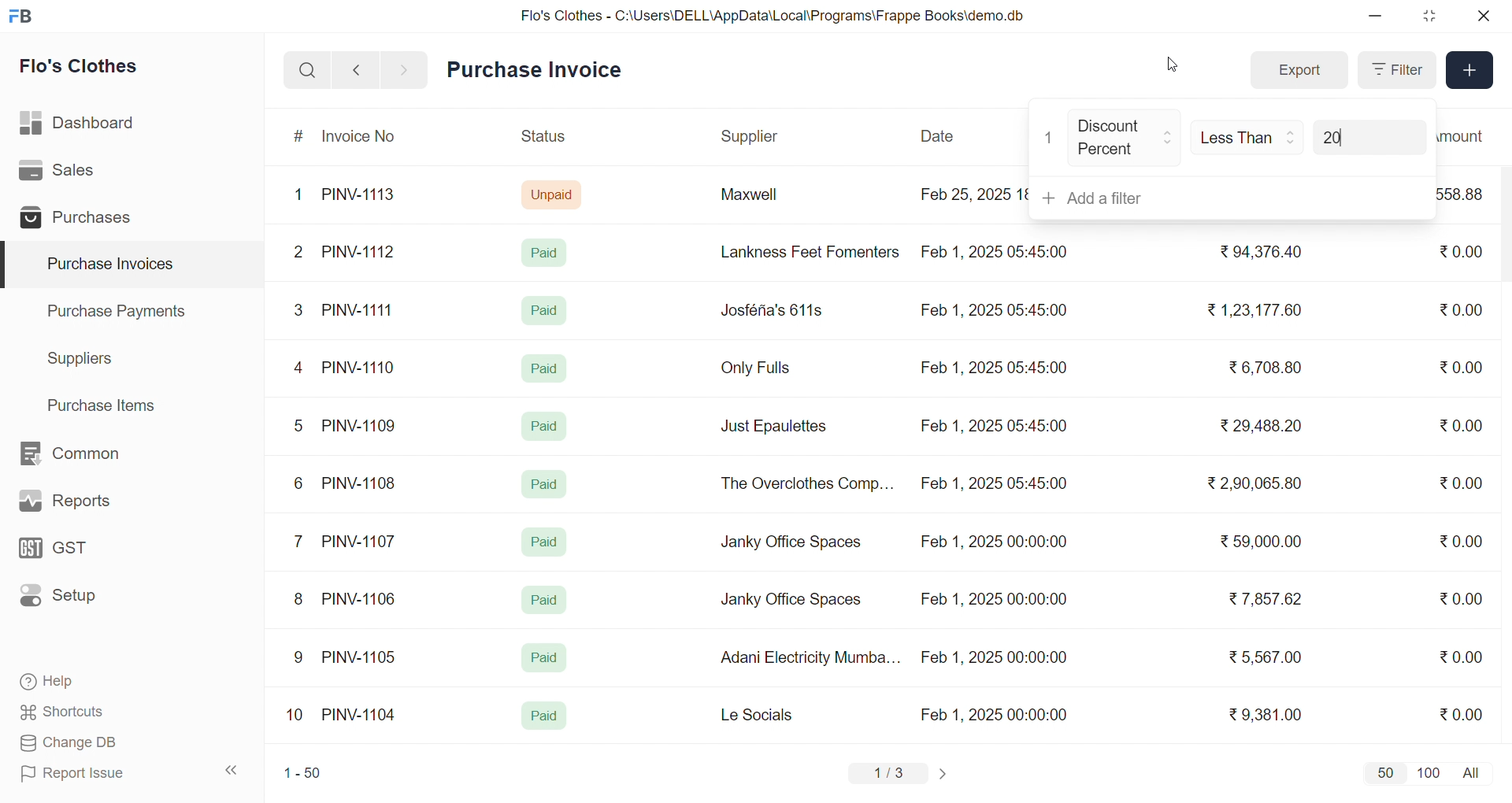 This screenshot has height=803, width=1512. Describe the element at coordinates (800, 252) in the screenshot. I see `Lankness Feet Fomenters` at that location.